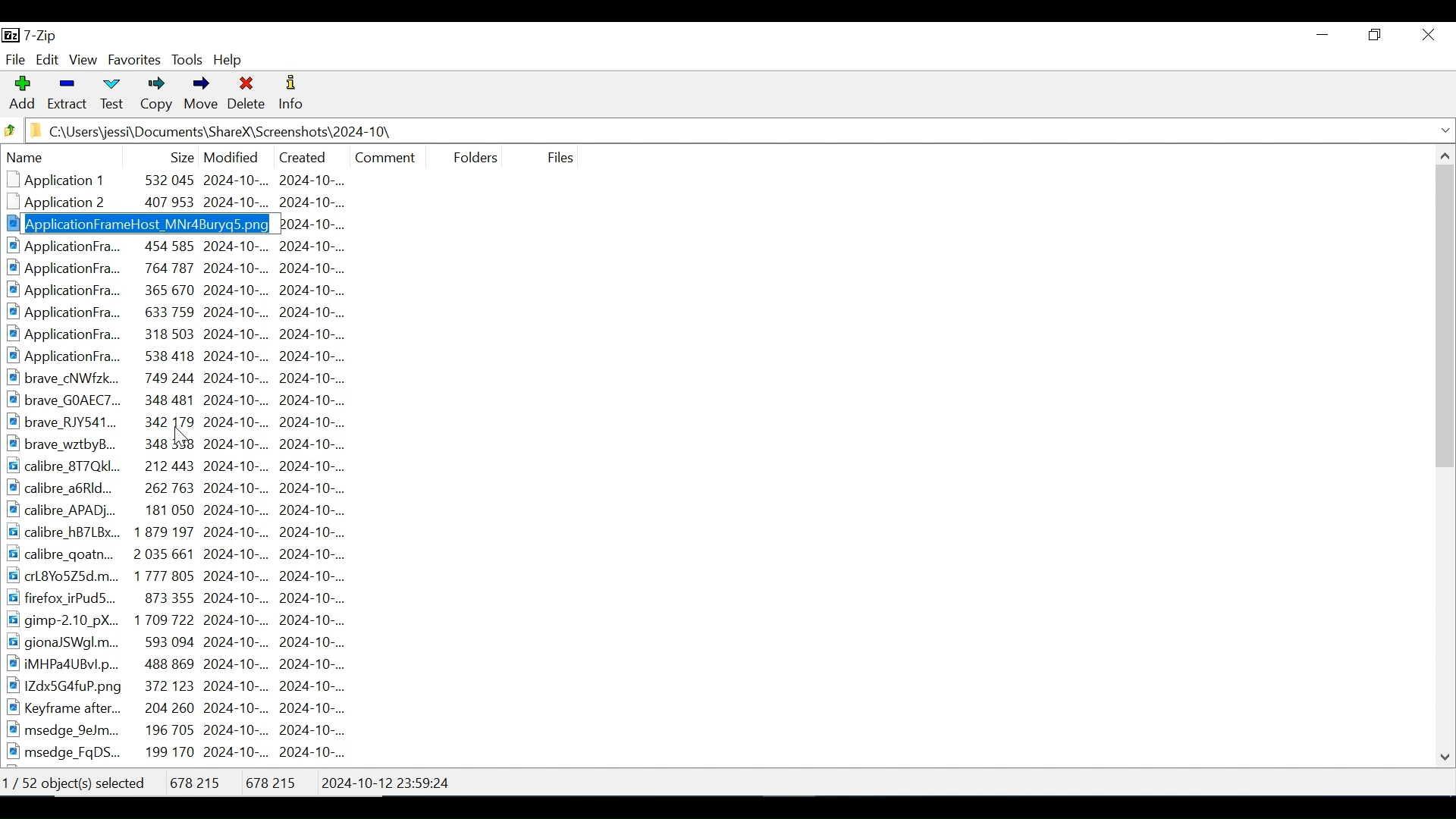 This screenshot has height=819, width=1456. Describe the element at coordinates (199, 96) in the screenshot. I see `Move` at that location.